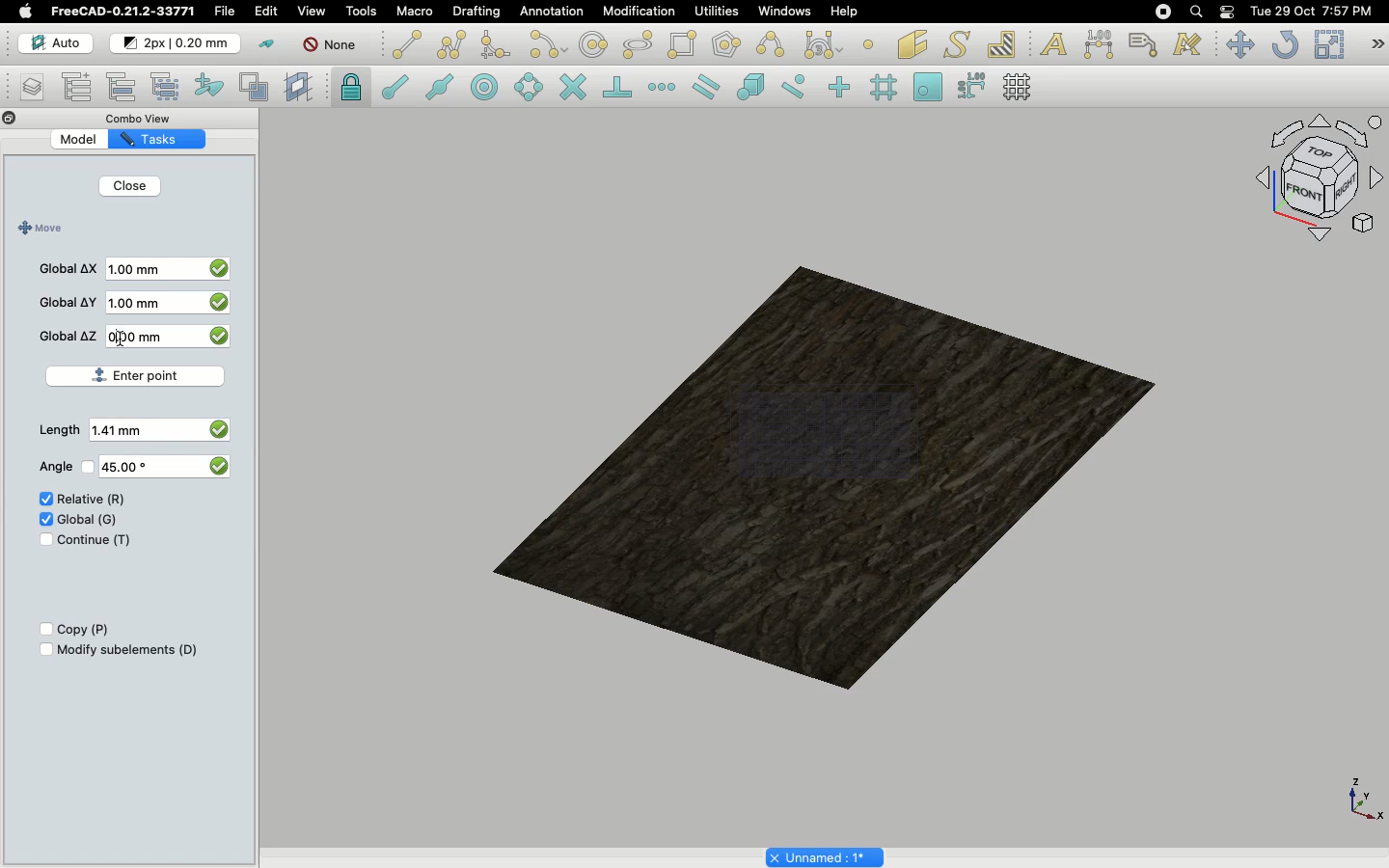  Describe the element at coordinates (168, 138) in the screenshot. I see `Tasks` at that location.